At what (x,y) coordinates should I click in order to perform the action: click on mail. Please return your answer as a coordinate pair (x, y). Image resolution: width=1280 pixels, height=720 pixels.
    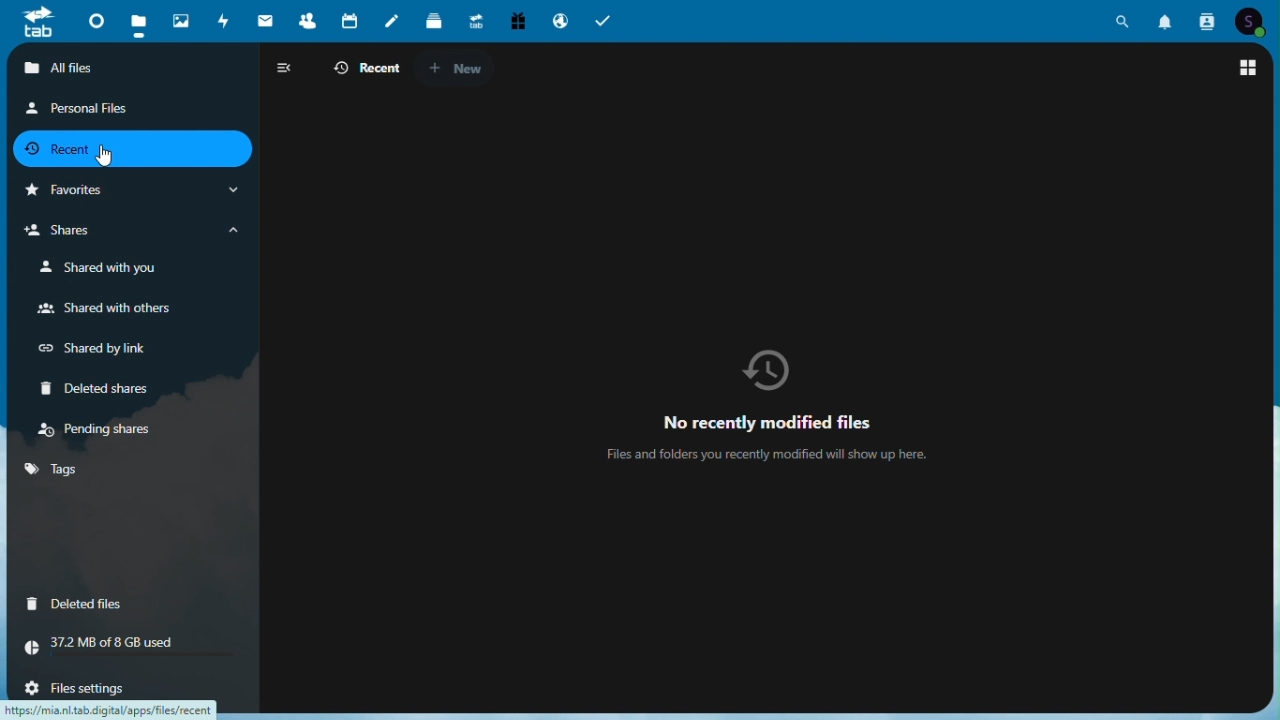
    Looking at the image, I should click on (265, 19).